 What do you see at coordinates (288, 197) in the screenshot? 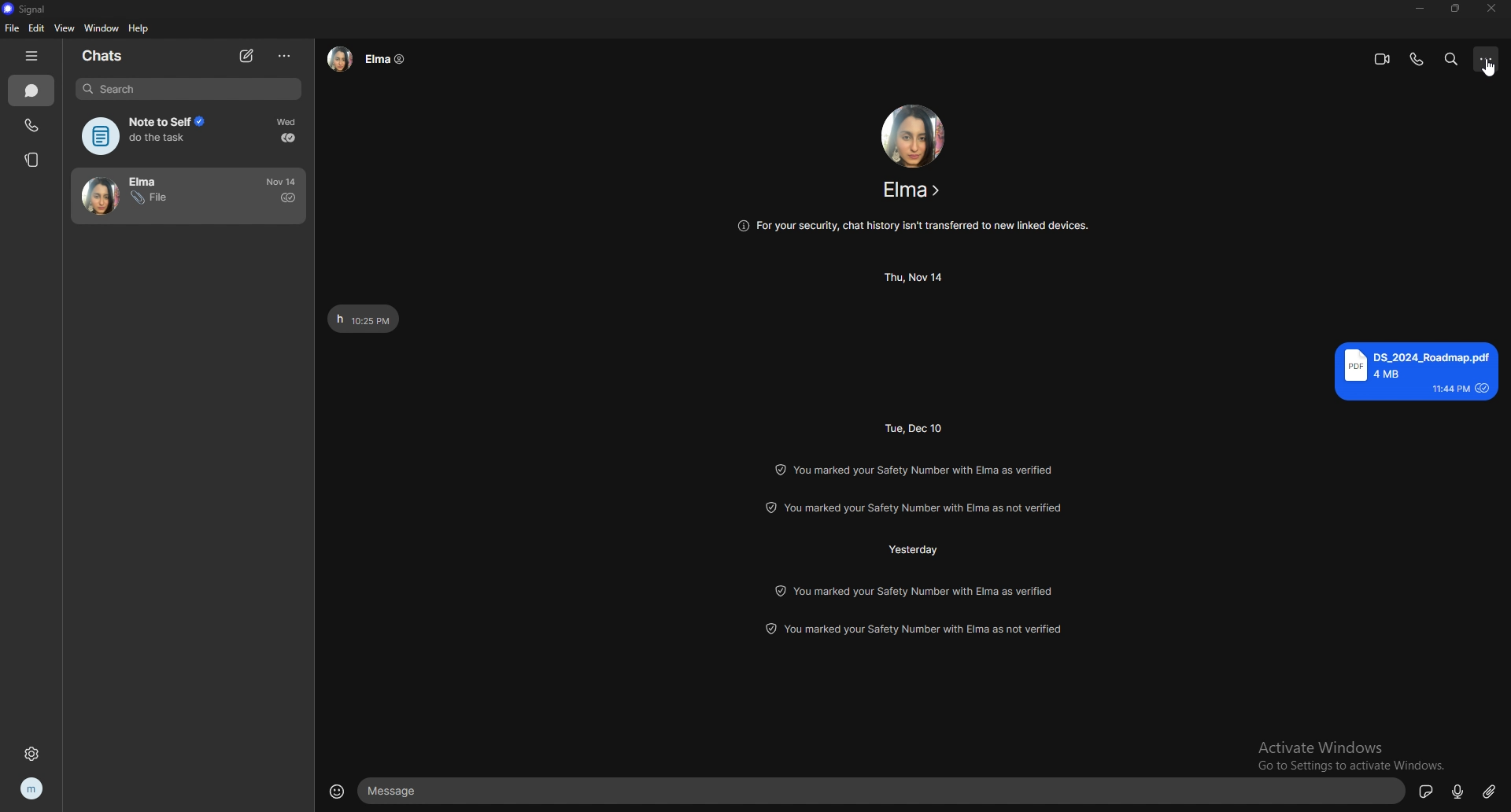
I see `sent` at bounding box center [288, 197].